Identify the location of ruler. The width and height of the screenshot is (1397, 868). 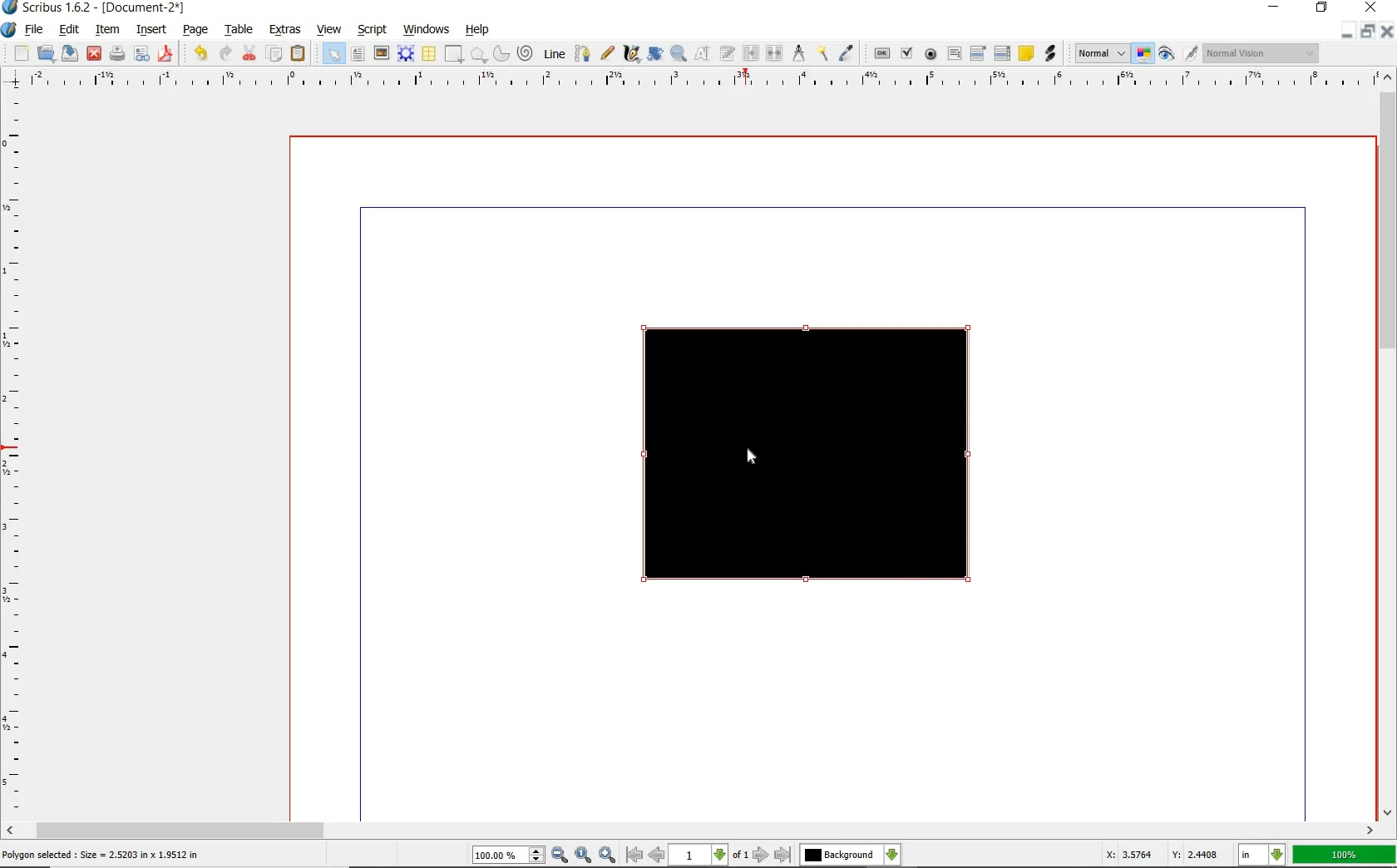
(17, 455).